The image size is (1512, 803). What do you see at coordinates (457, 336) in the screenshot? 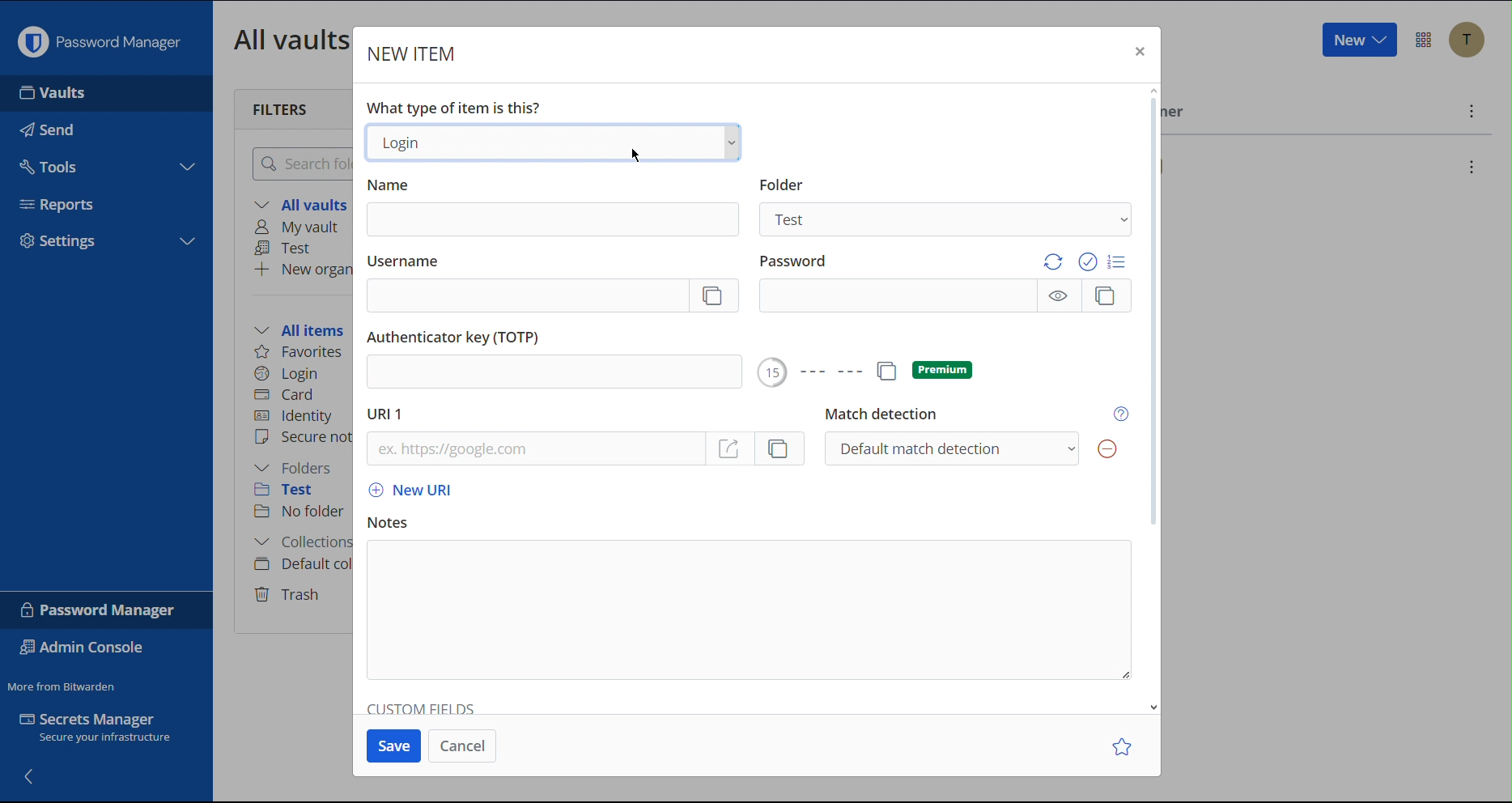
I see `Authenticator Key` at bounding box center [457, 336].